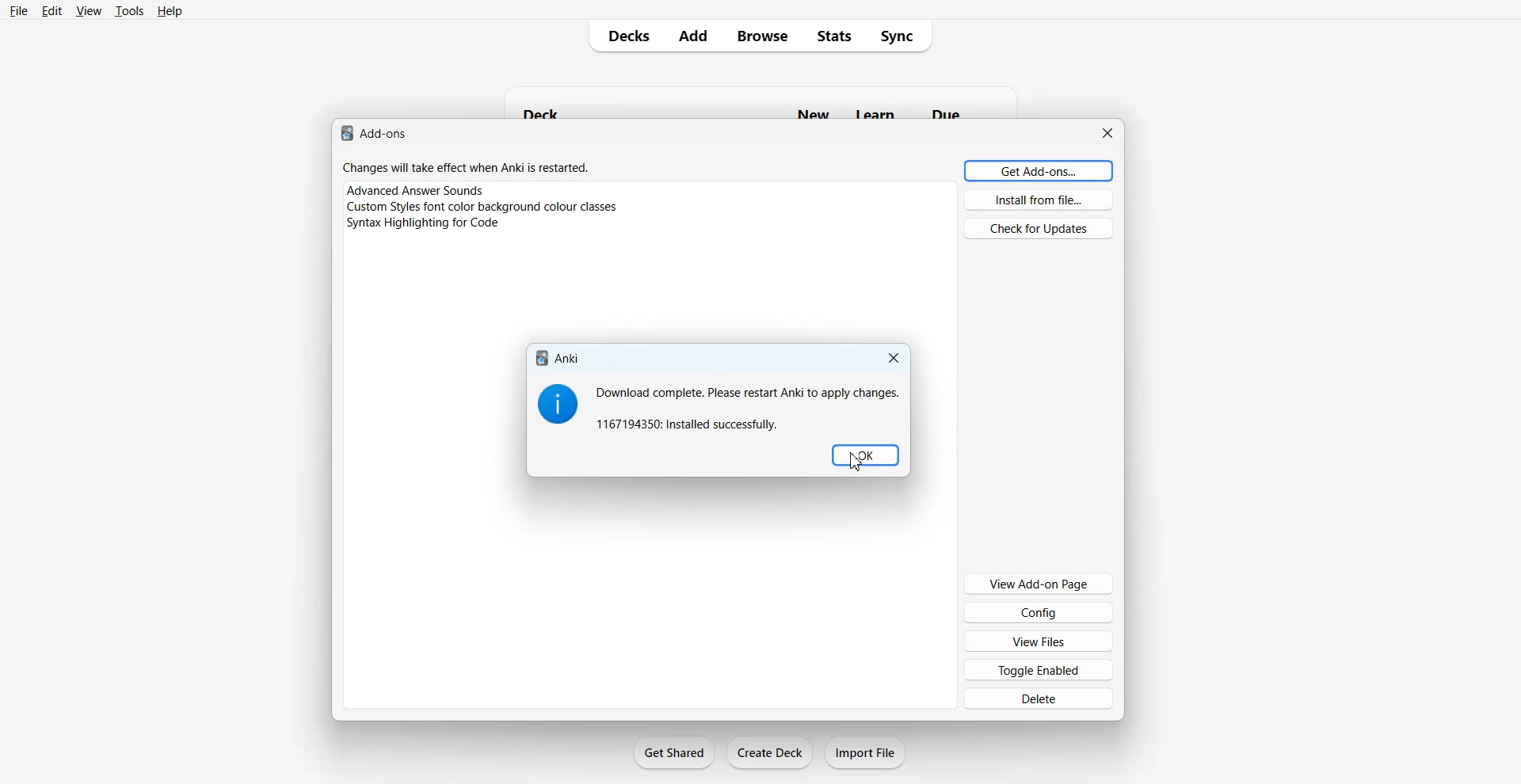  Describe the element at coordinates (892, 356) in the screenshot. I see `Close` at that location.